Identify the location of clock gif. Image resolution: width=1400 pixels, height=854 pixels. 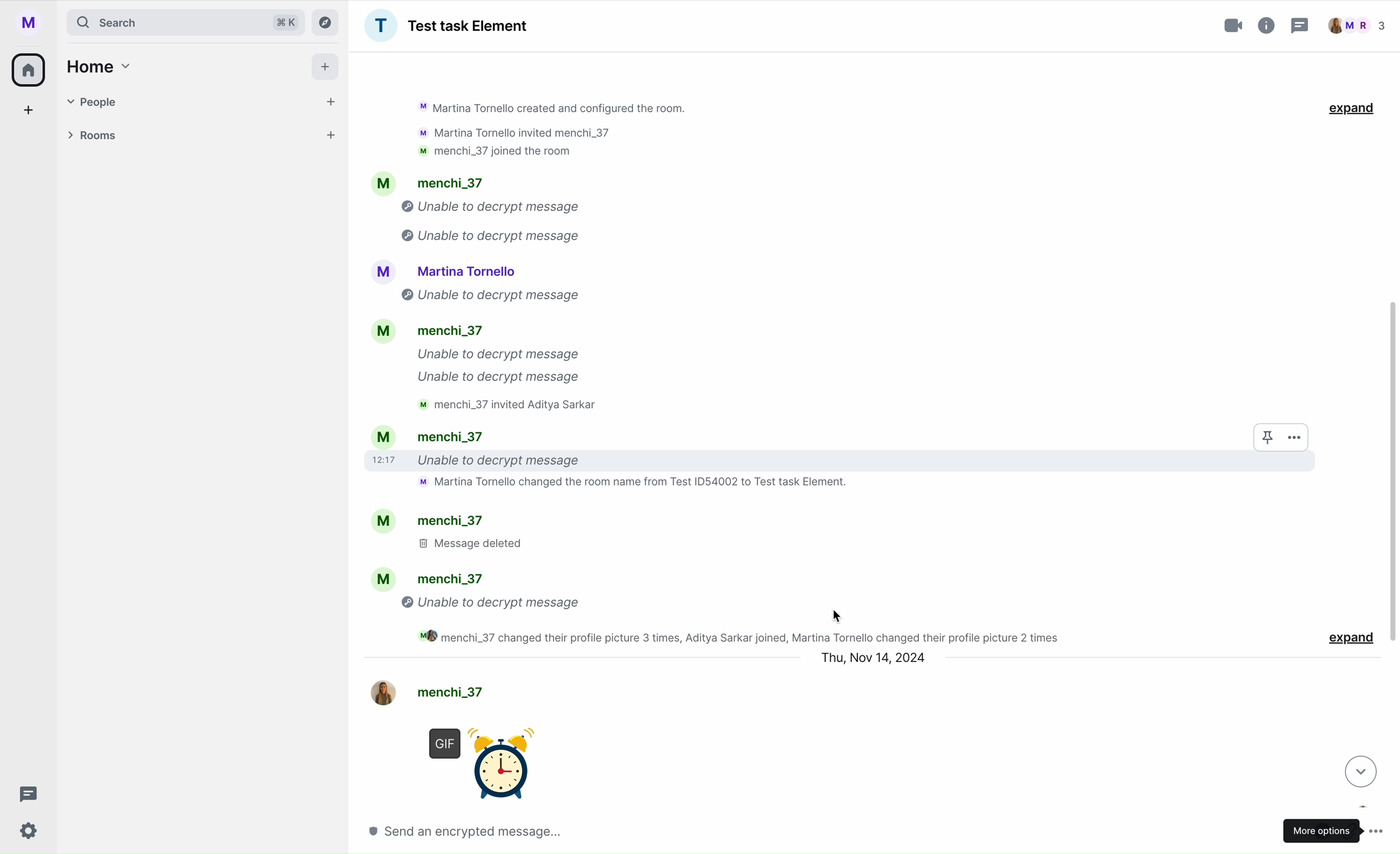
(502, 756).